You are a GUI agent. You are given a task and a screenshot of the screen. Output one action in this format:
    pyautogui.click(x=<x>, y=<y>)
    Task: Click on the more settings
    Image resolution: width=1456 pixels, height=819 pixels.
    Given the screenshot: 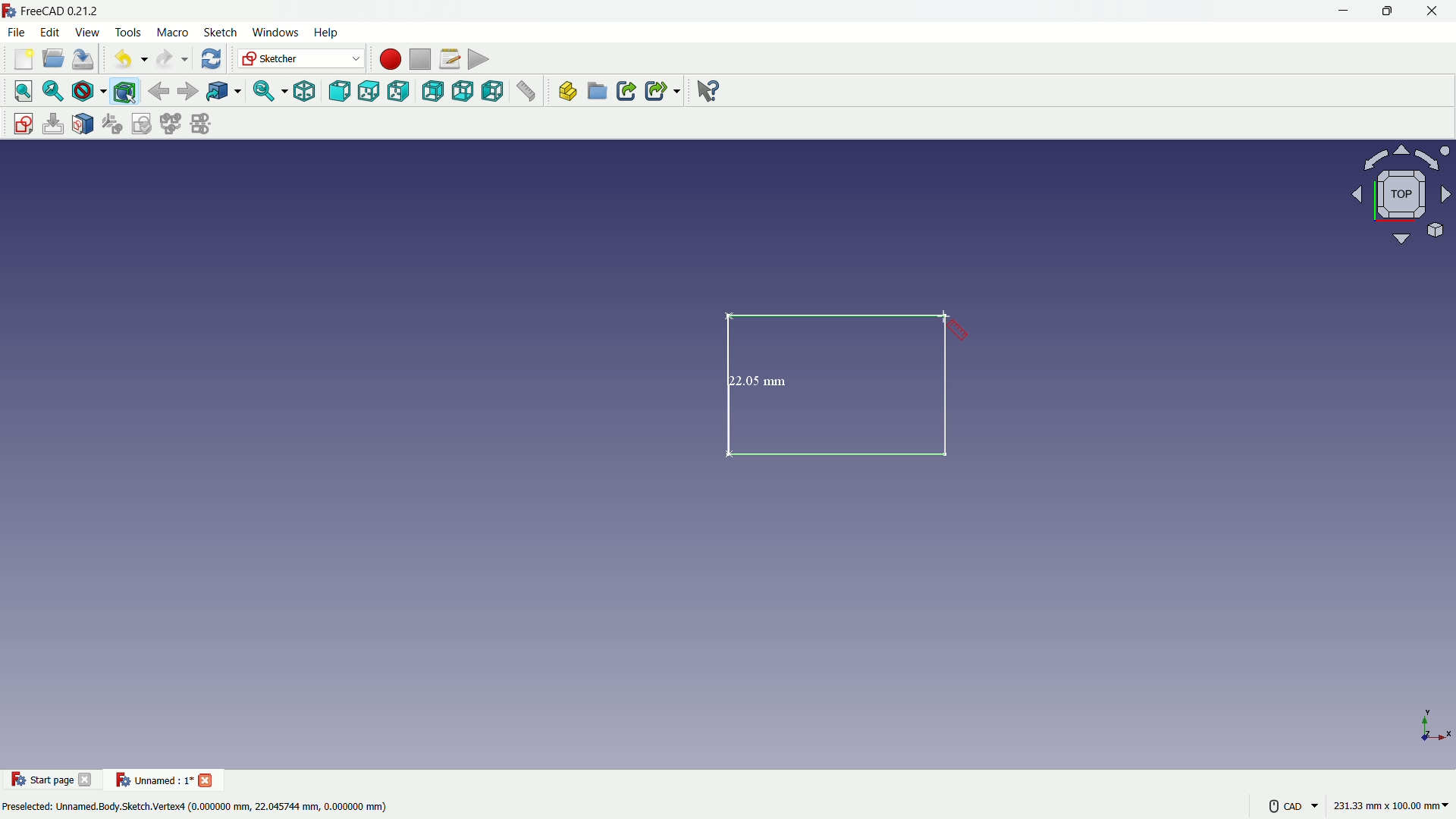 What is the action you would take?
    pyautogui.click(x=1289, y=805)
    